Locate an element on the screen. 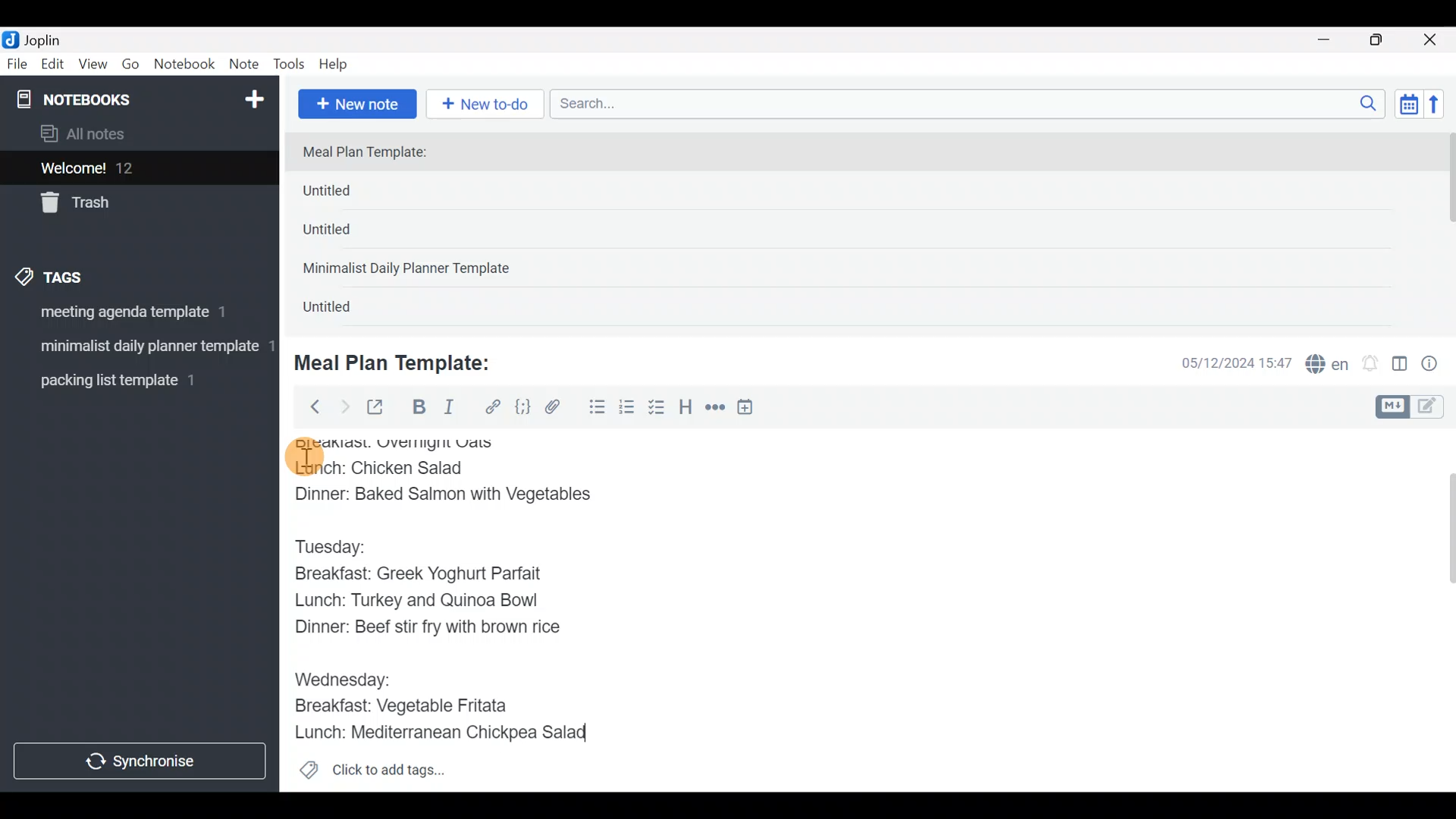 The width and height of the screenshot is (1456, 819). Insert time is located at coordinates (752, 409).